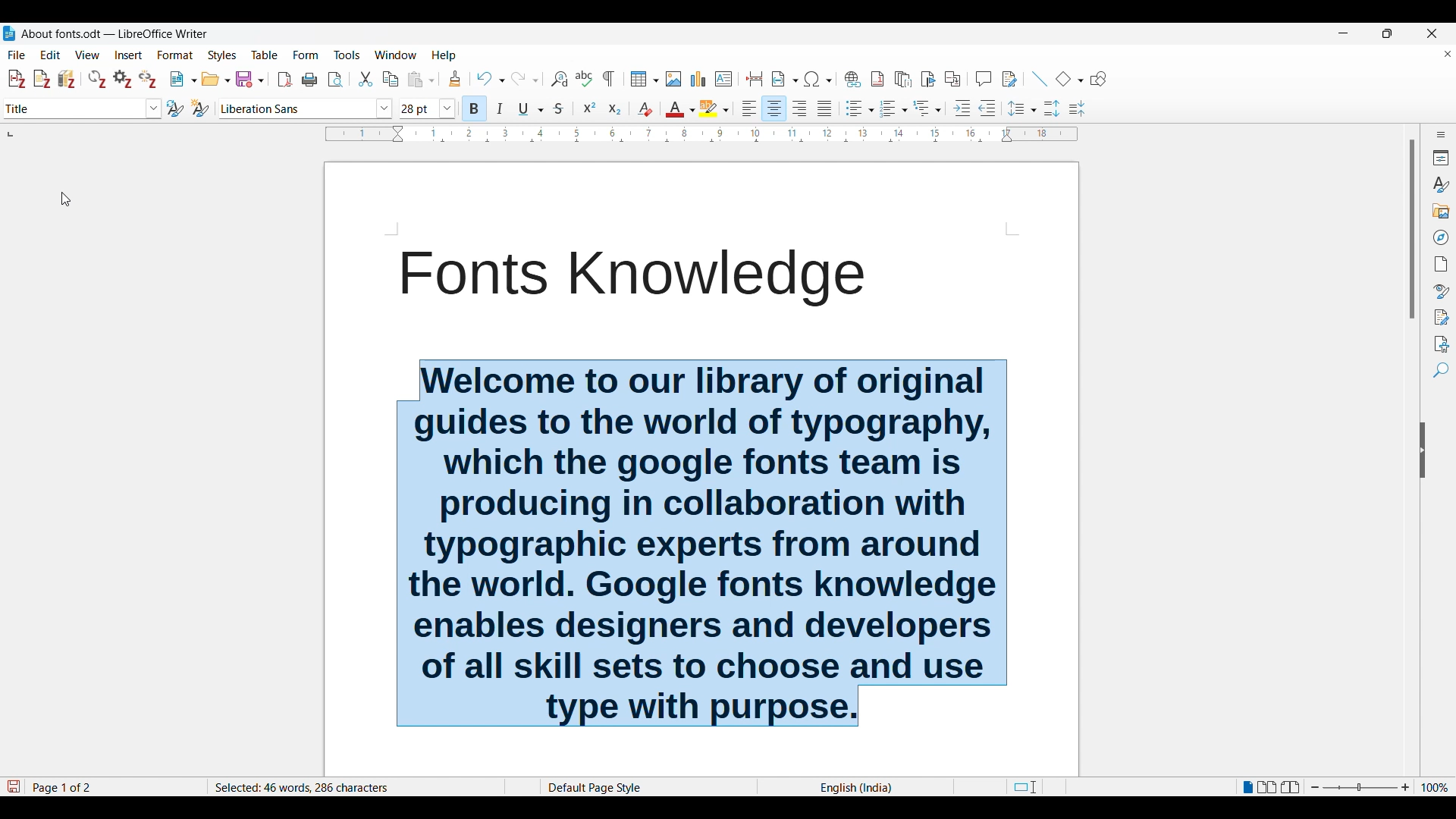 This screenshot has height=819, width=1456. I want to click on Toggle formatting marks, so click(609, 79).